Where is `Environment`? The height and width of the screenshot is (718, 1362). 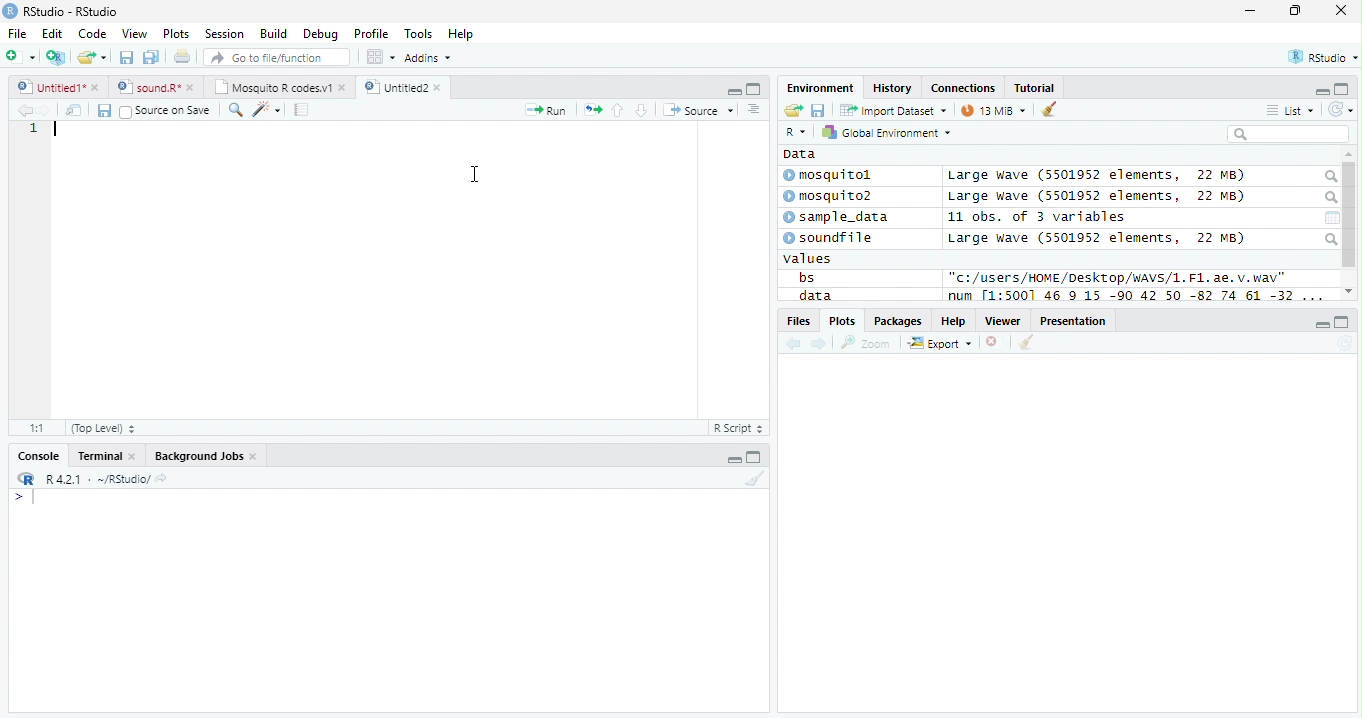
Environment is located at coordinates (821, 88).